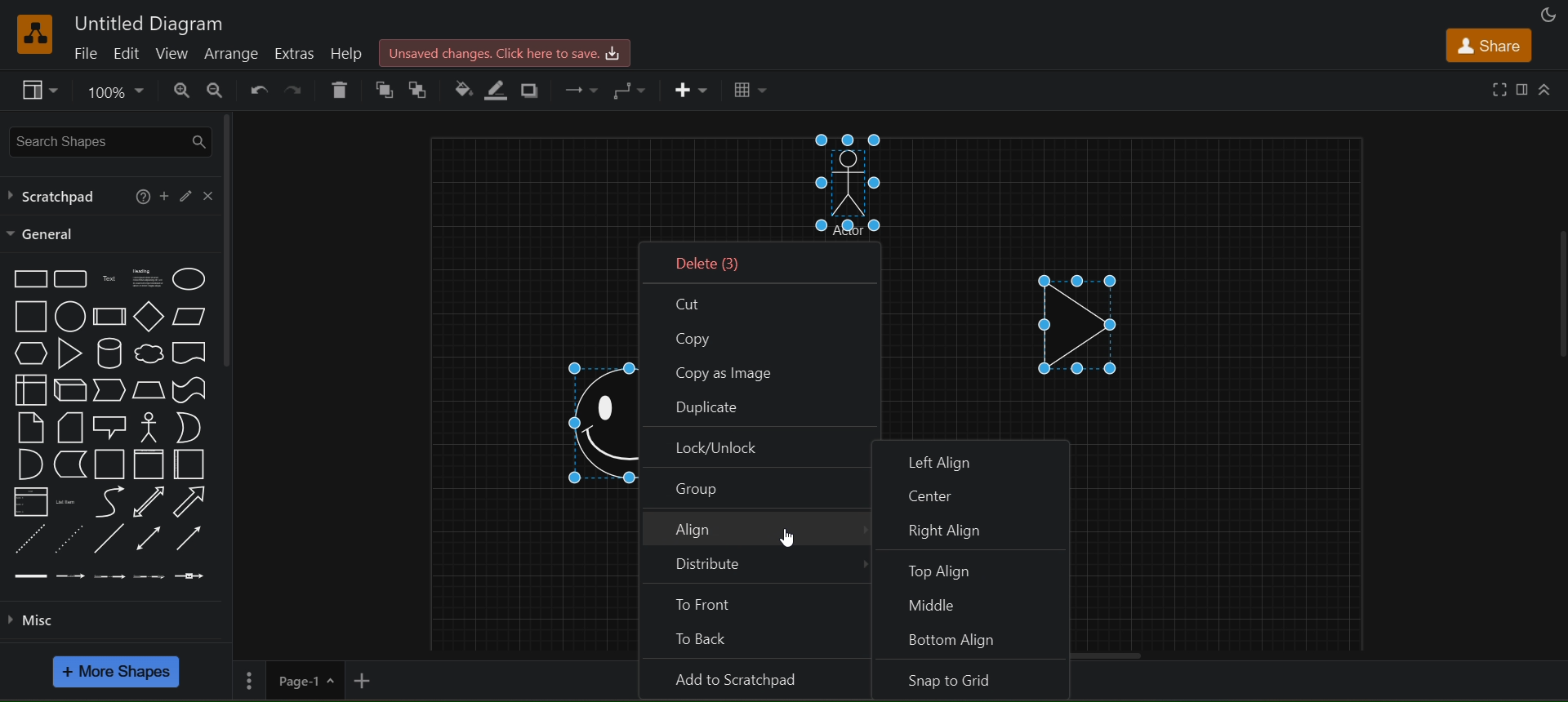 Image resolution: width=1568 pixels, height=702 pixels. What do you see at coordinates (461, 86) in the screenshot?
I see `fill color ` at bounding box center [461, 86].